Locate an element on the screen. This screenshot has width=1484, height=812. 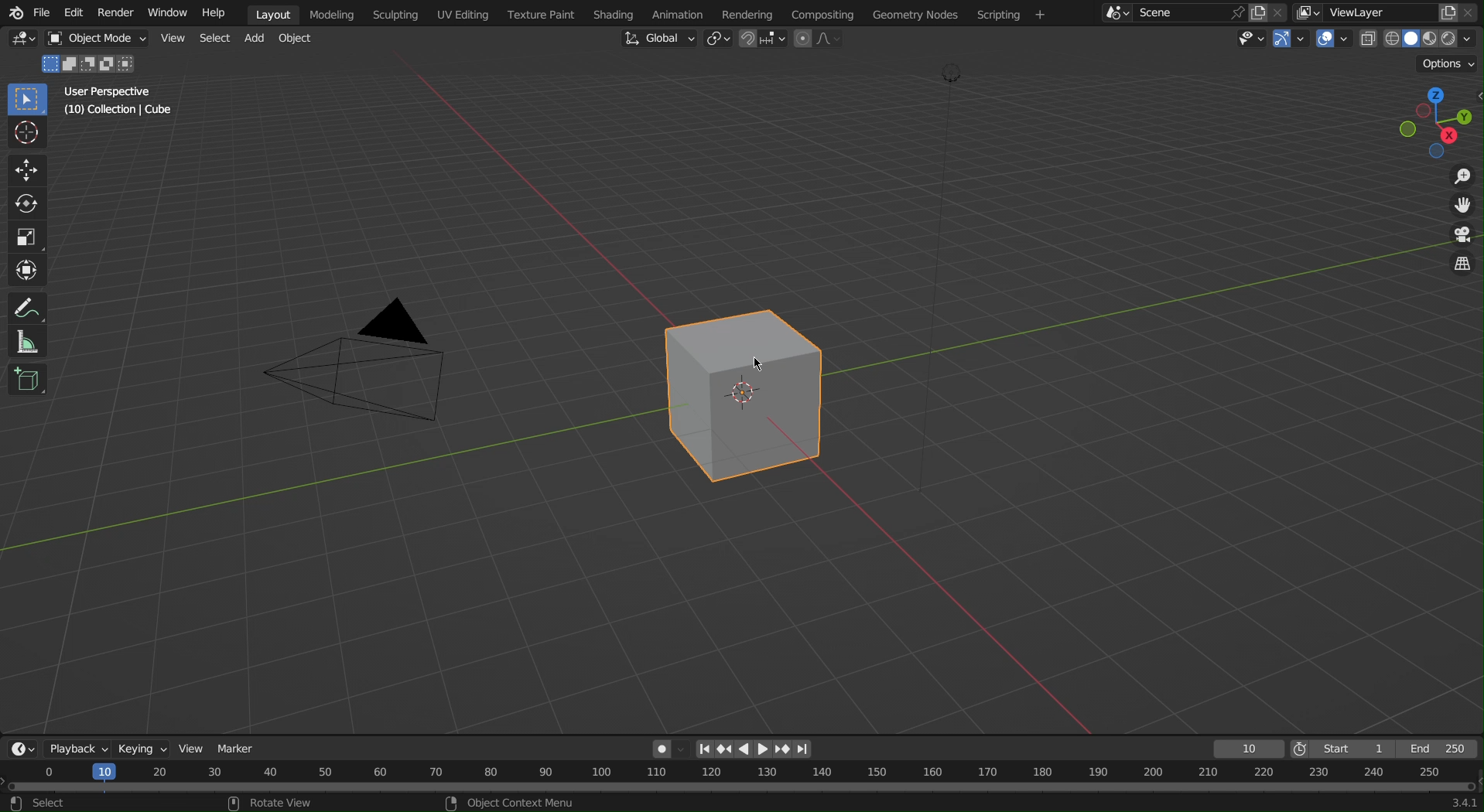
copy is located at coordinates (1263, 11).